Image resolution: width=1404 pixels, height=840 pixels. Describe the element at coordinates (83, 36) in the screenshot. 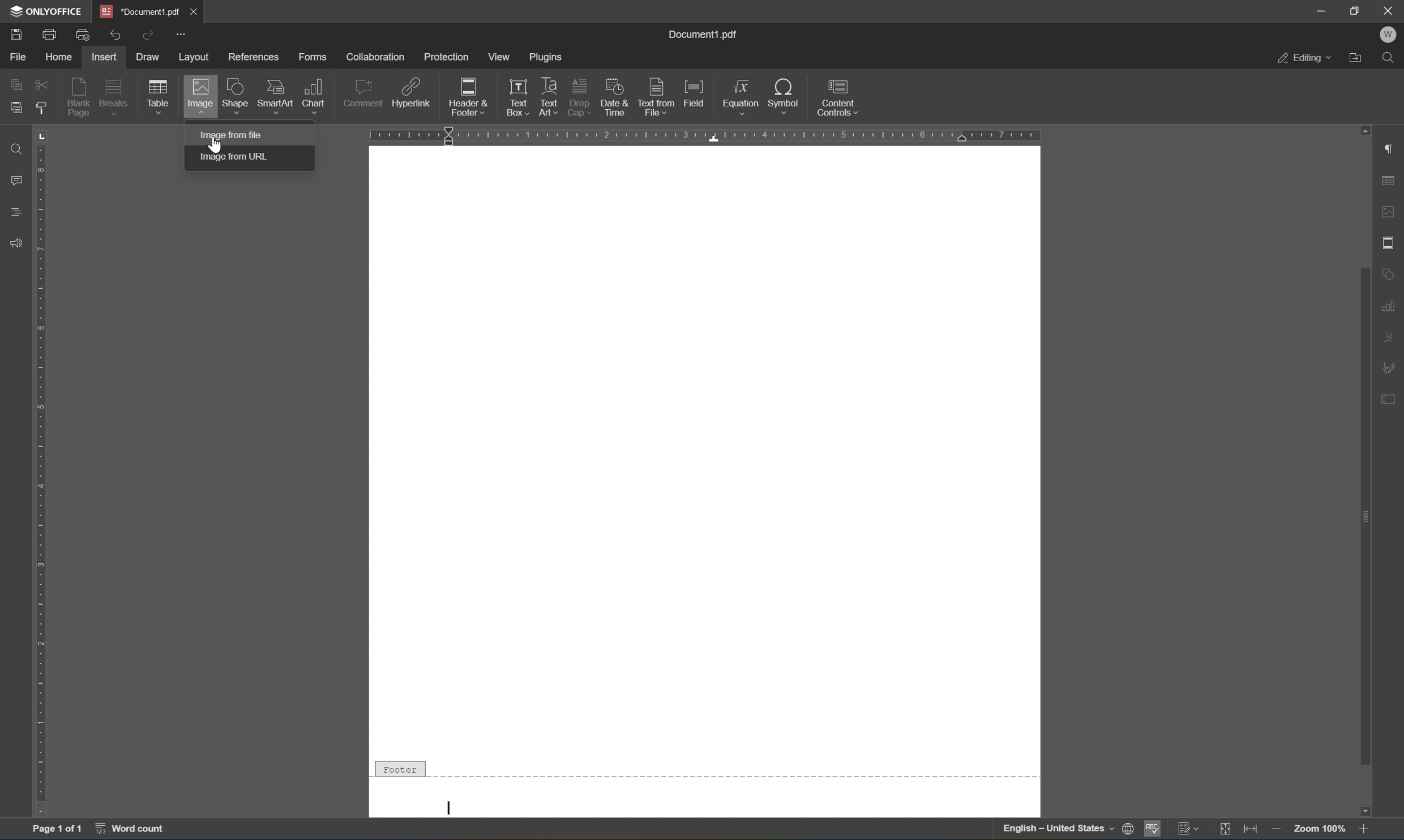

I see `quick print` at that location.